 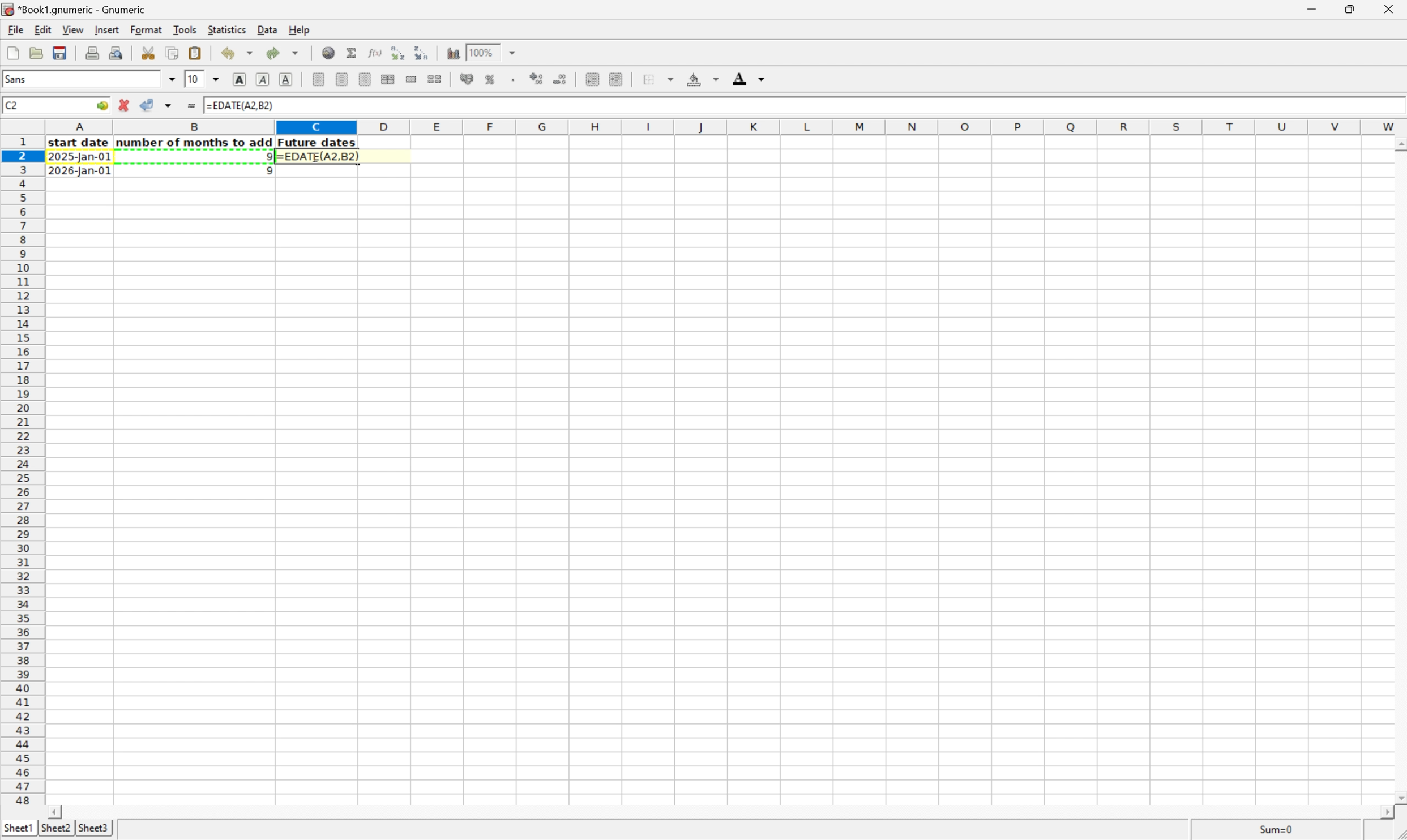 I want to click on Help, so click(x=299, y=29).